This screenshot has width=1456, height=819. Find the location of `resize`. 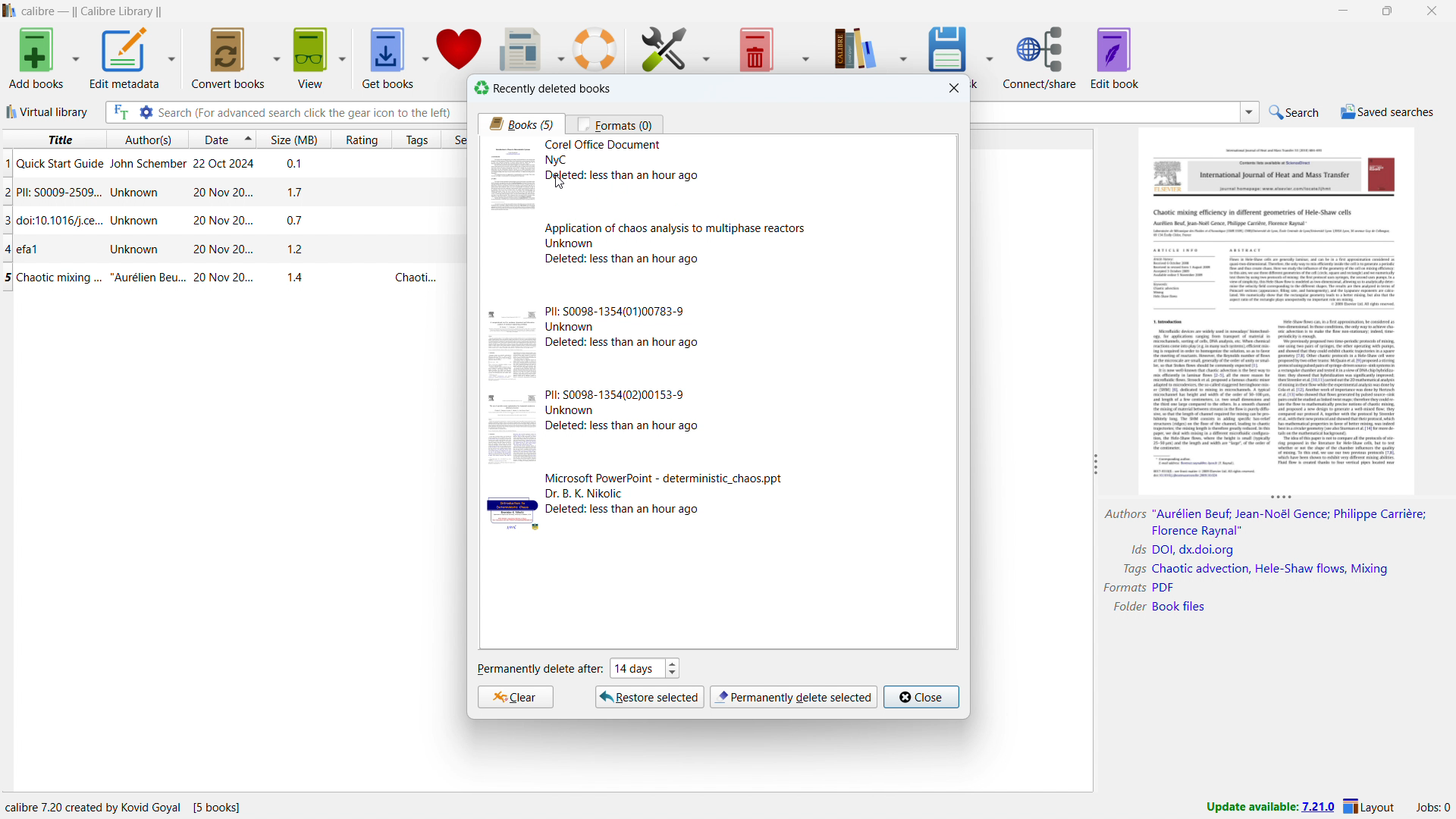

resize is located at coordinates (1094, 465).